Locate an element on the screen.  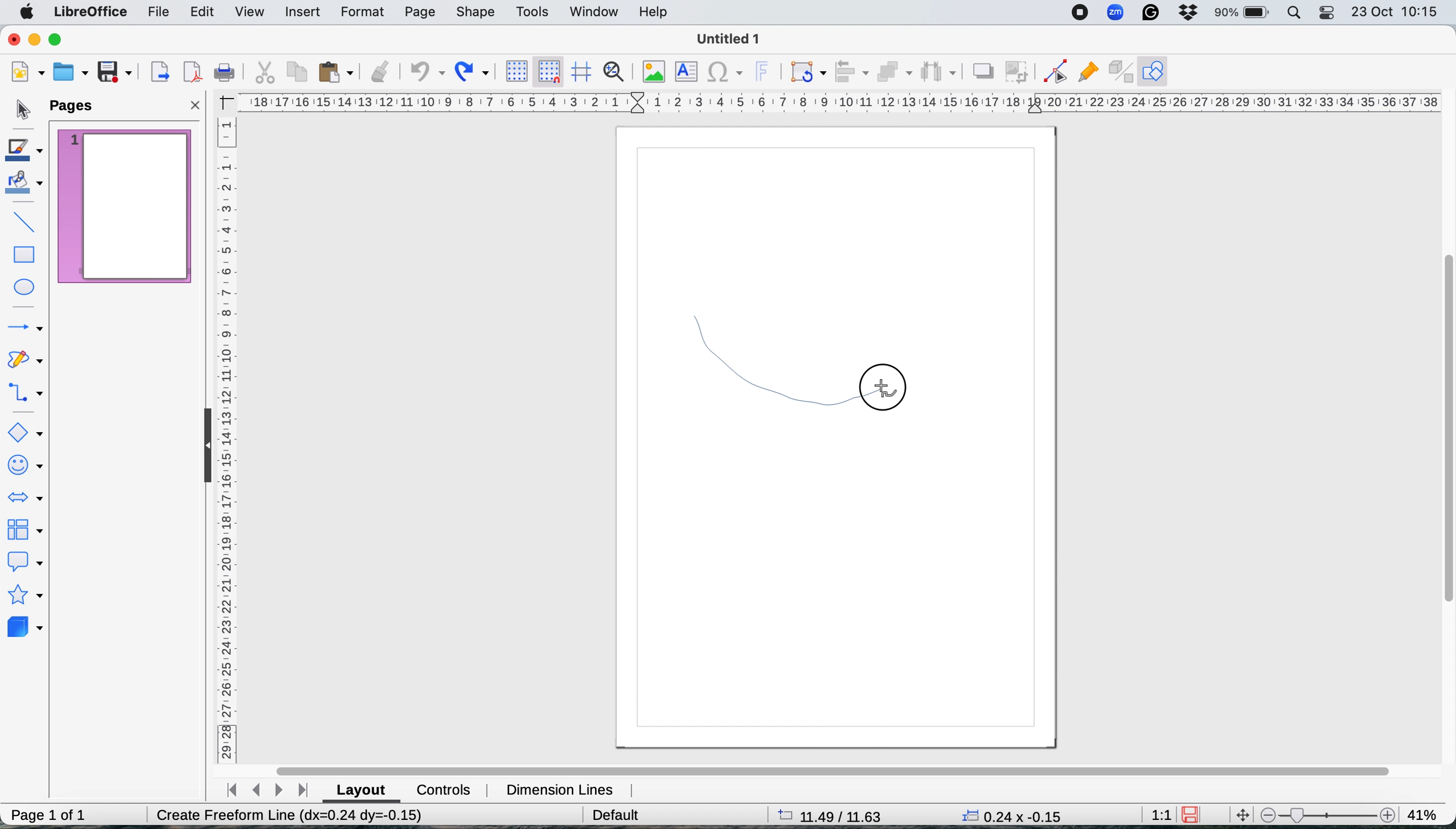
close is located at coordinates (14, 39).